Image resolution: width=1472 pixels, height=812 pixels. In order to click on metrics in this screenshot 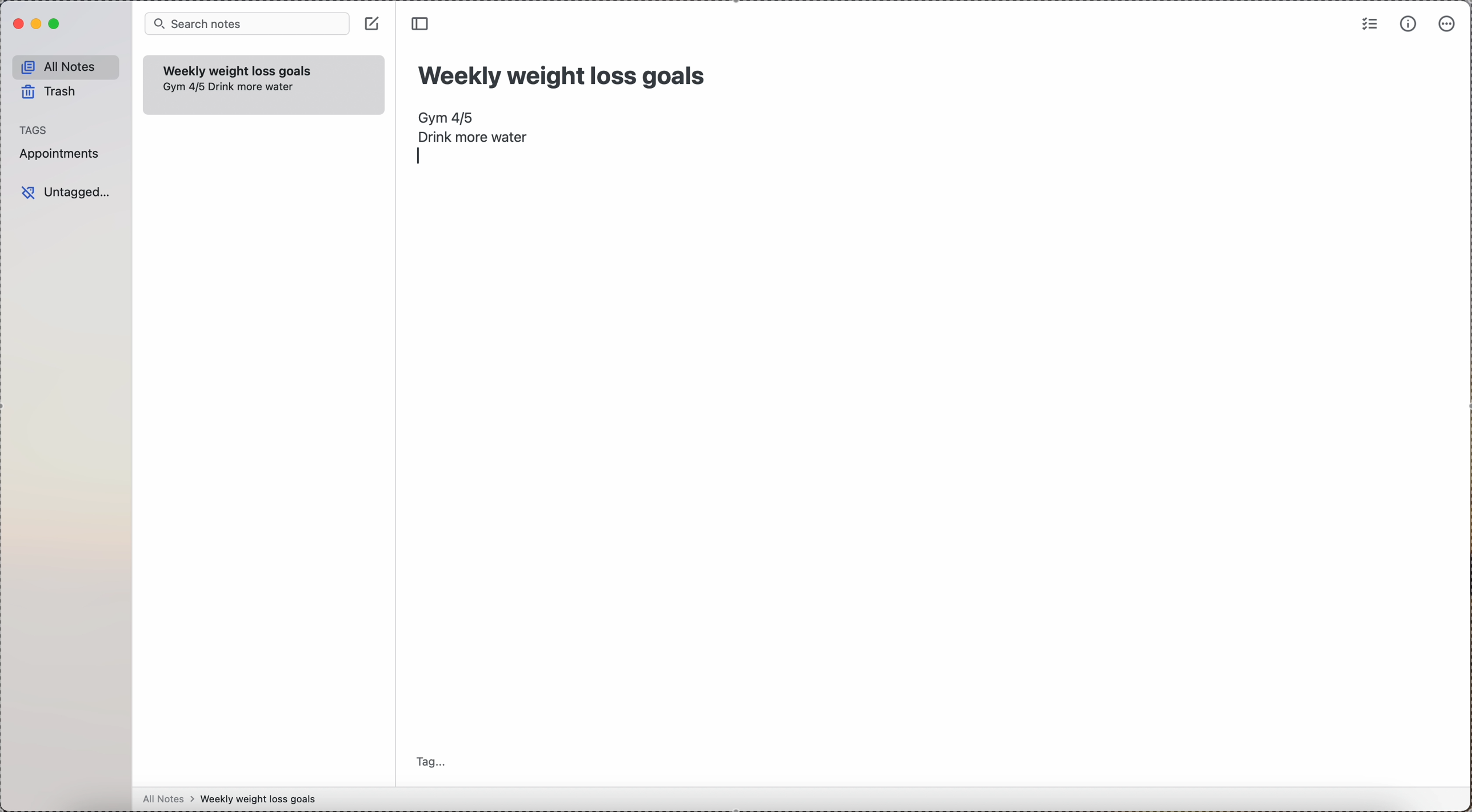, I will do `click(1407, 25)`.